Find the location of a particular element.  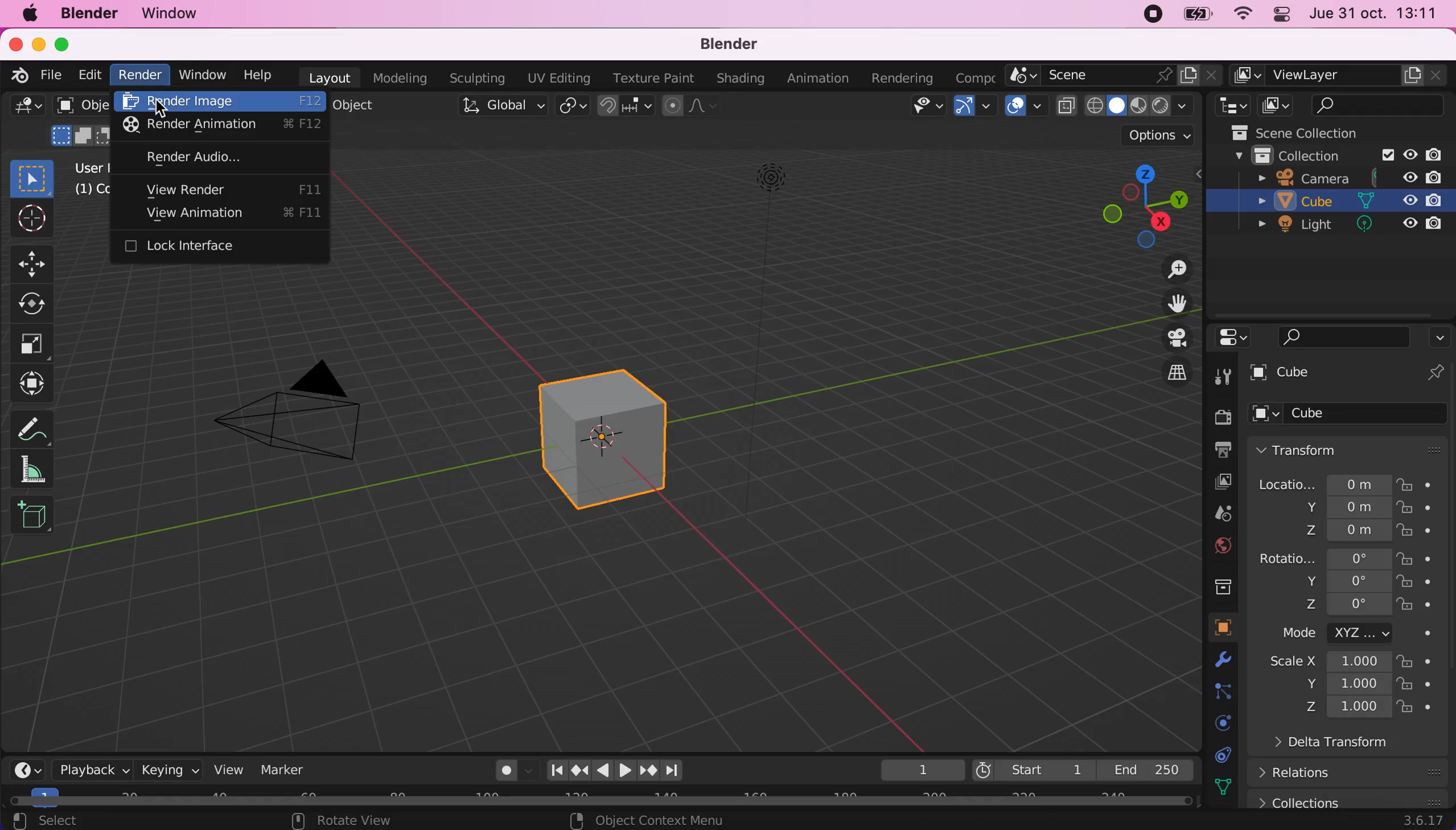

add cube is located at coordinates (35, 514).